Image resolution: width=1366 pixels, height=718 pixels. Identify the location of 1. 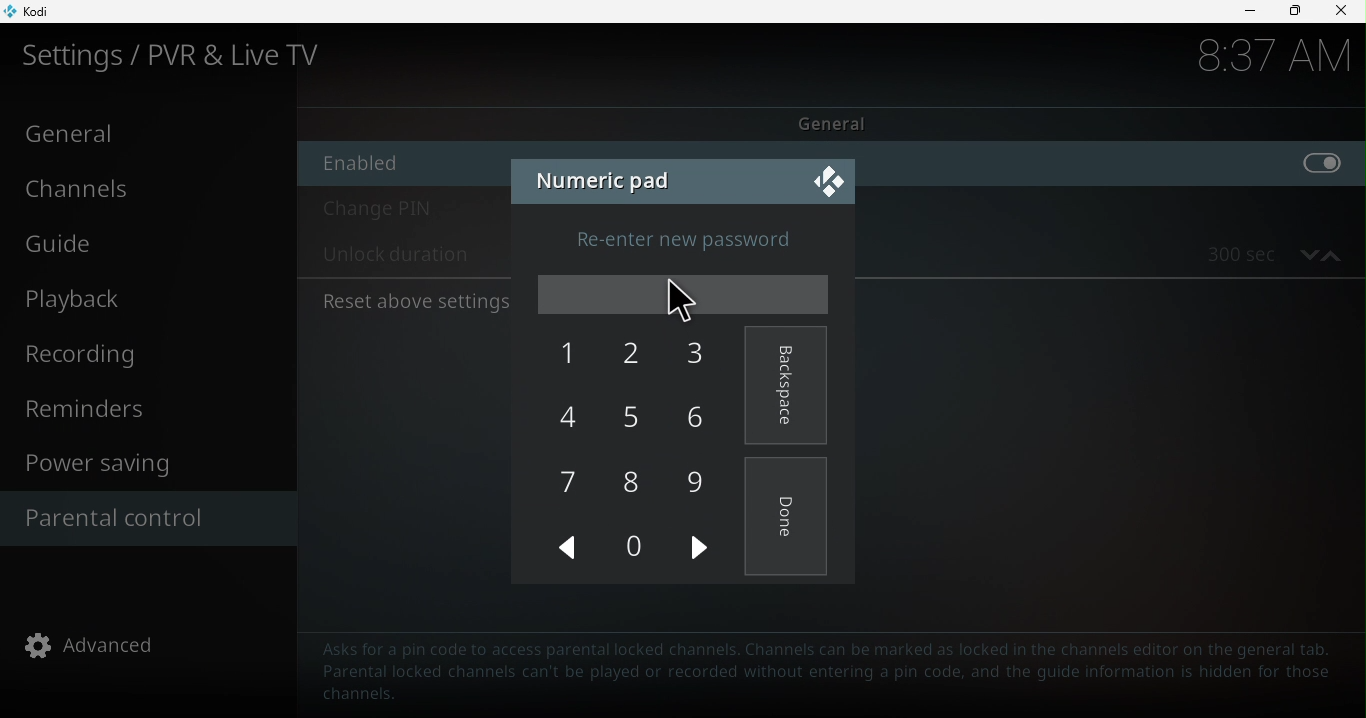
(571, 354).